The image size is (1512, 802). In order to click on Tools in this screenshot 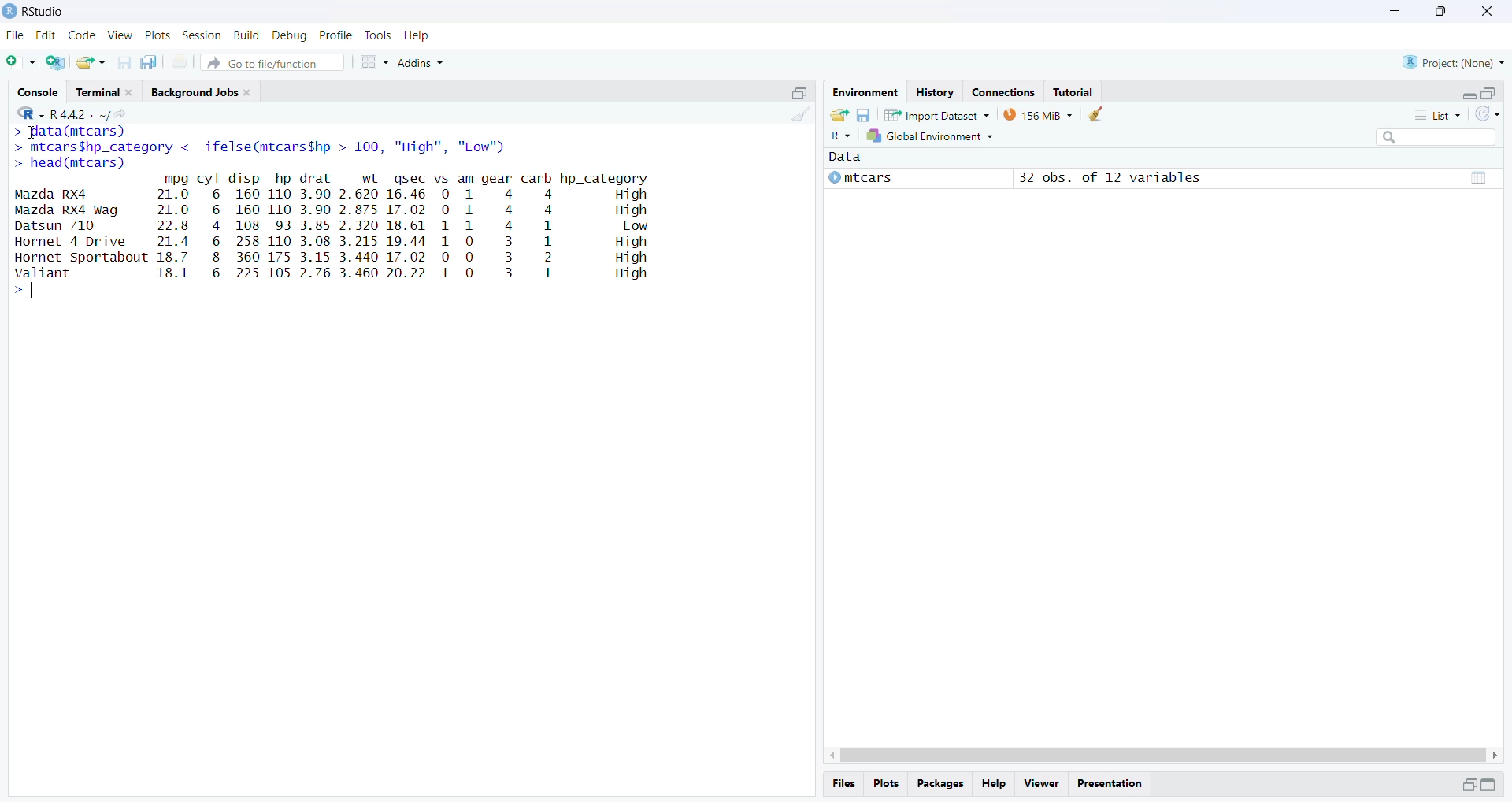, I will do `click(378, 35)`.